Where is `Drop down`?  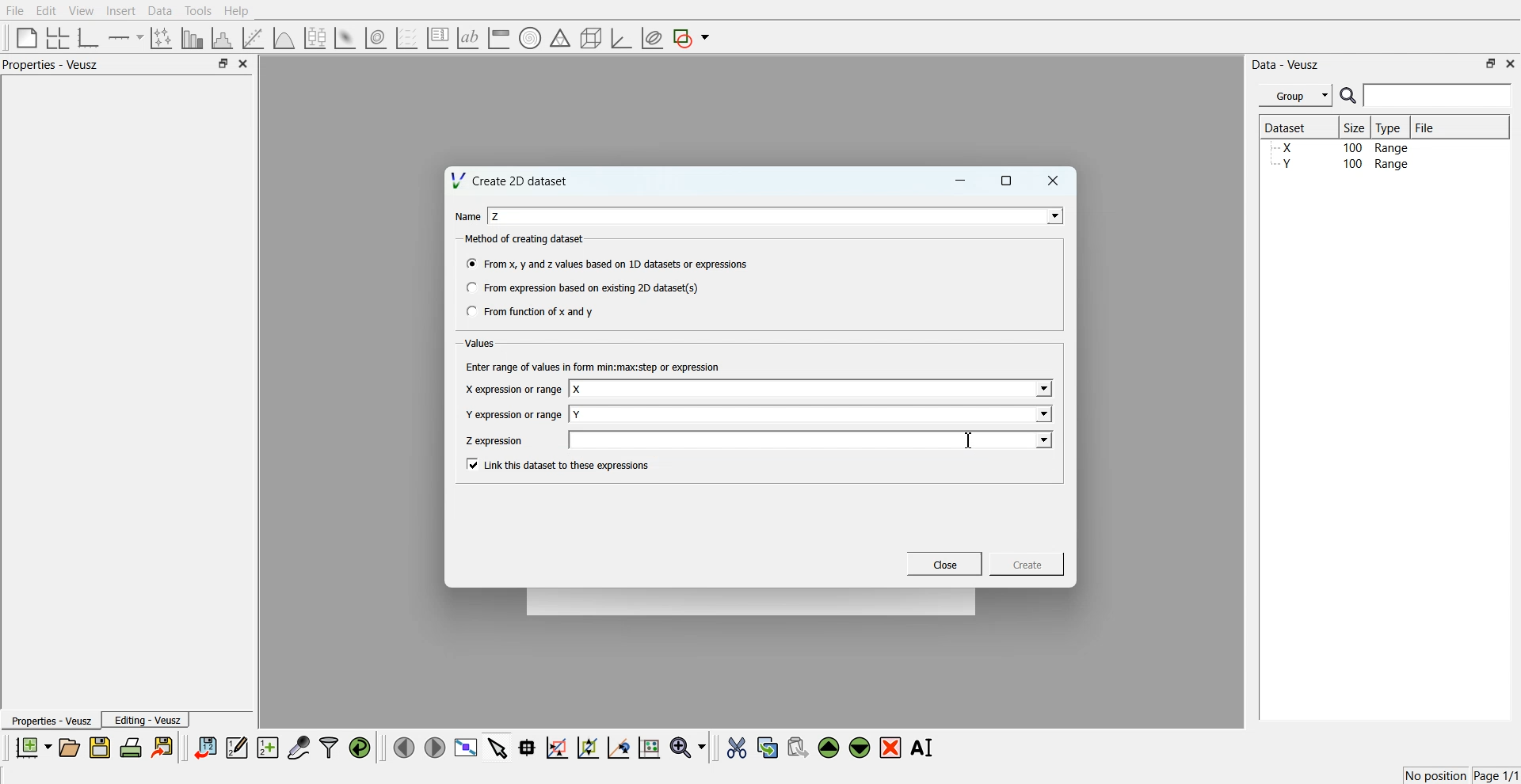 Drop down is located at coordinates (1043, 440).